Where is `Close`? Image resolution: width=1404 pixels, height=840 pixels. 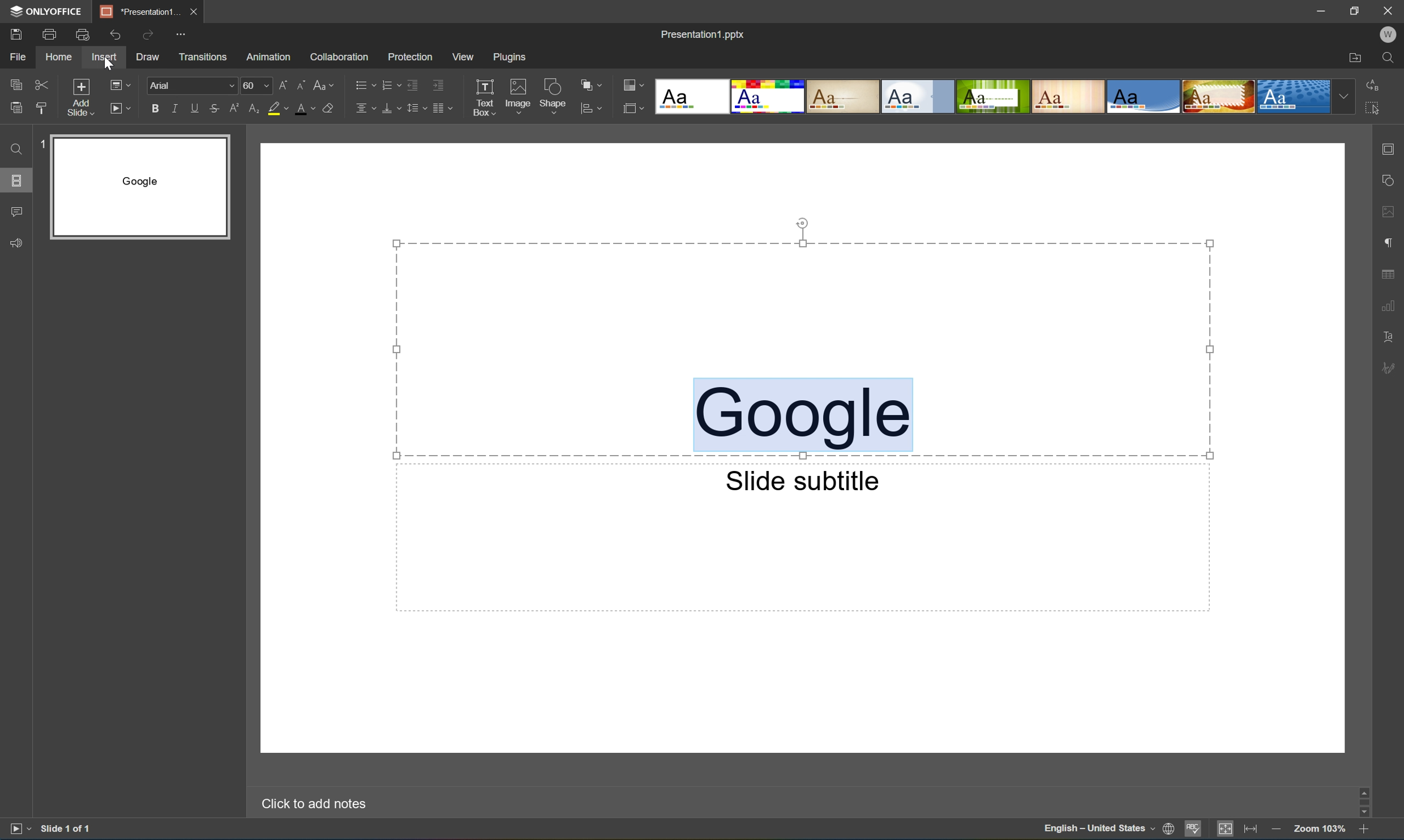 Close is located at coordinates (197, 11).